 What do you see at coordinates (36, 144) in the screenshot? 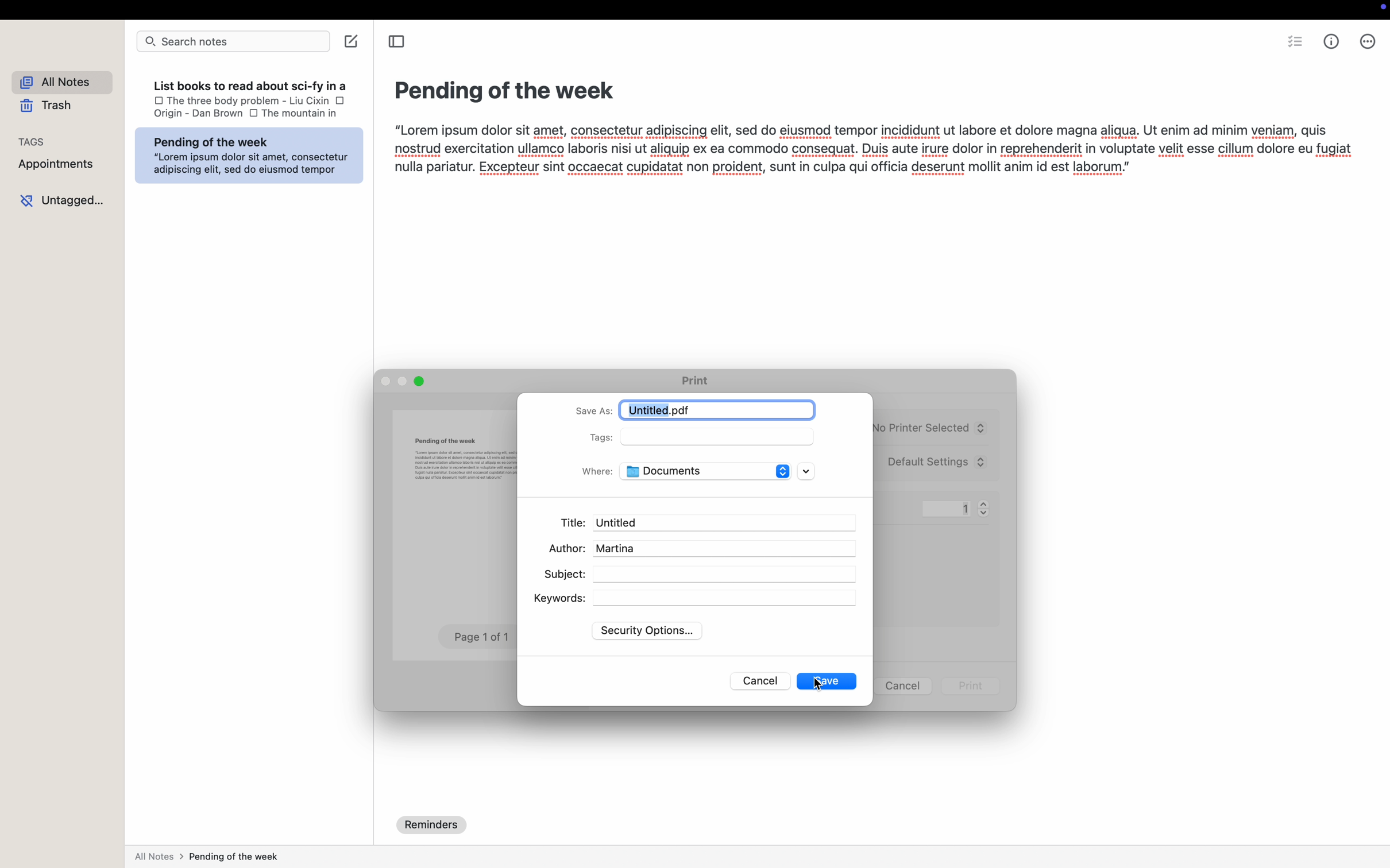
I see `tags` at bounding box center [36, 144].